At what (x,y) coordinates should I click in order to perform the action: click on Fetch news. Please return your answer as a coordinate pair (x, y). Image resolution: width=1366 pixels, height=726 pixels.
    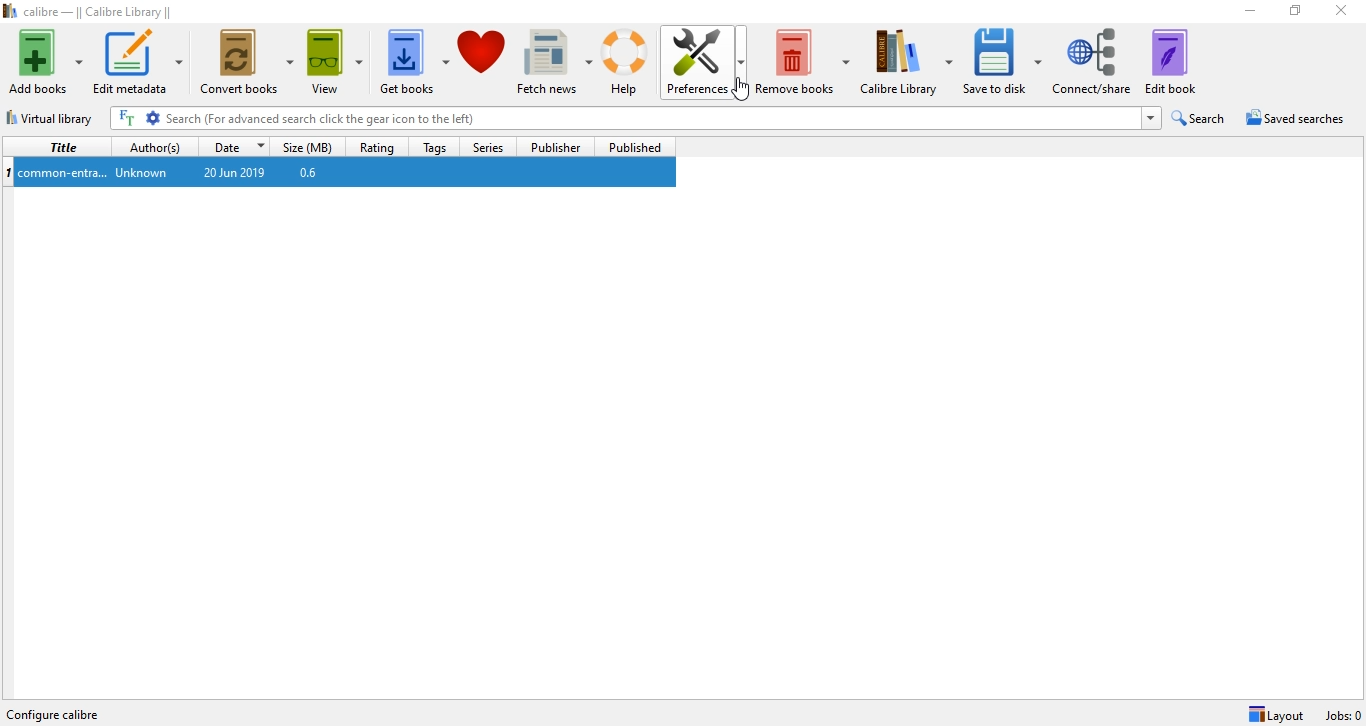
    Looking at the image, I should click on (553, 57).